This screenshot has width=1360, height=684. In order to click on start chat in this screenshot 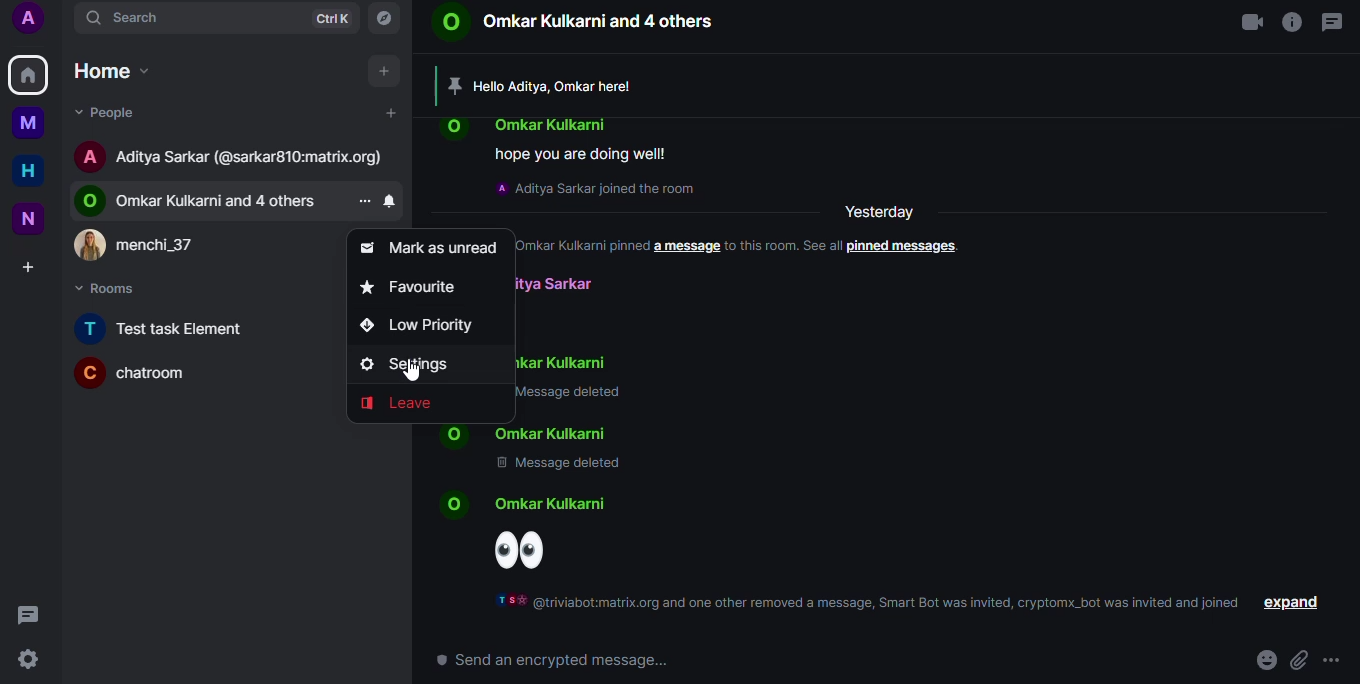, I will do `click(396, 113)`.